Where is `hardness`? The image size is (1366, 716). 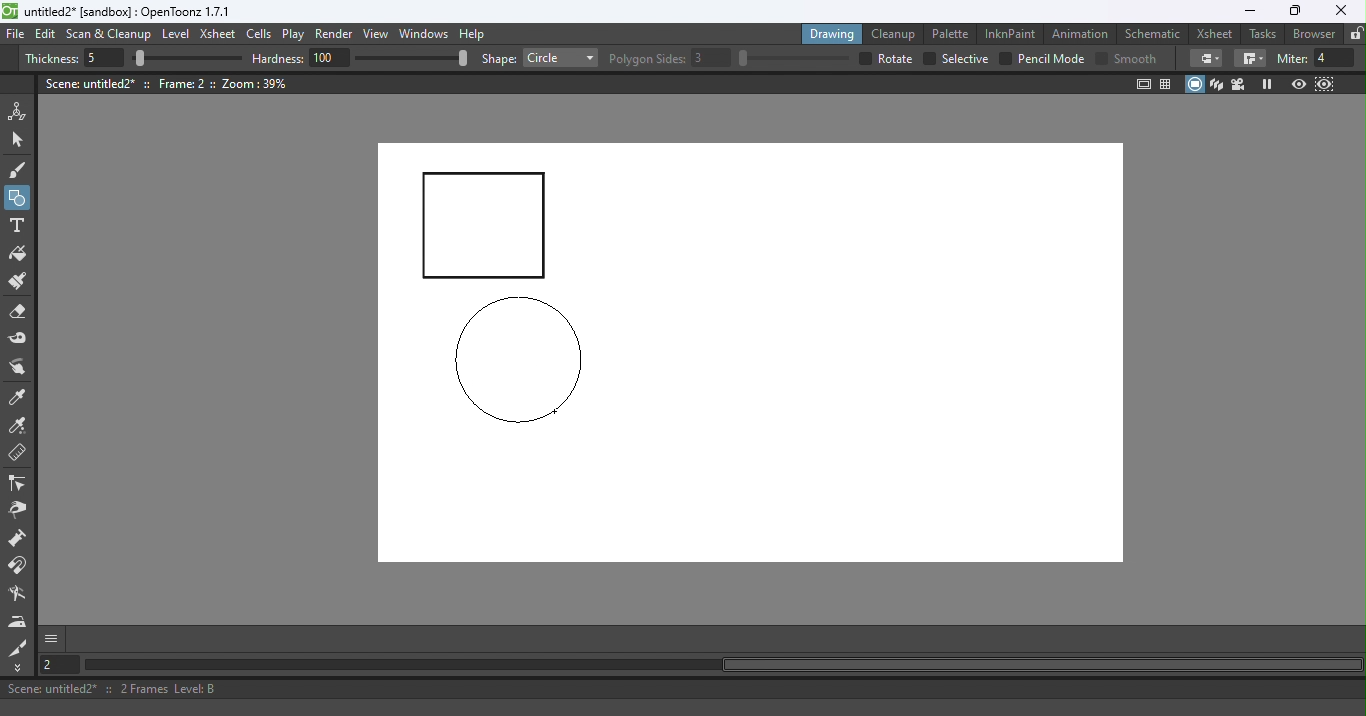
hardness is located at coordinates (280, 58).